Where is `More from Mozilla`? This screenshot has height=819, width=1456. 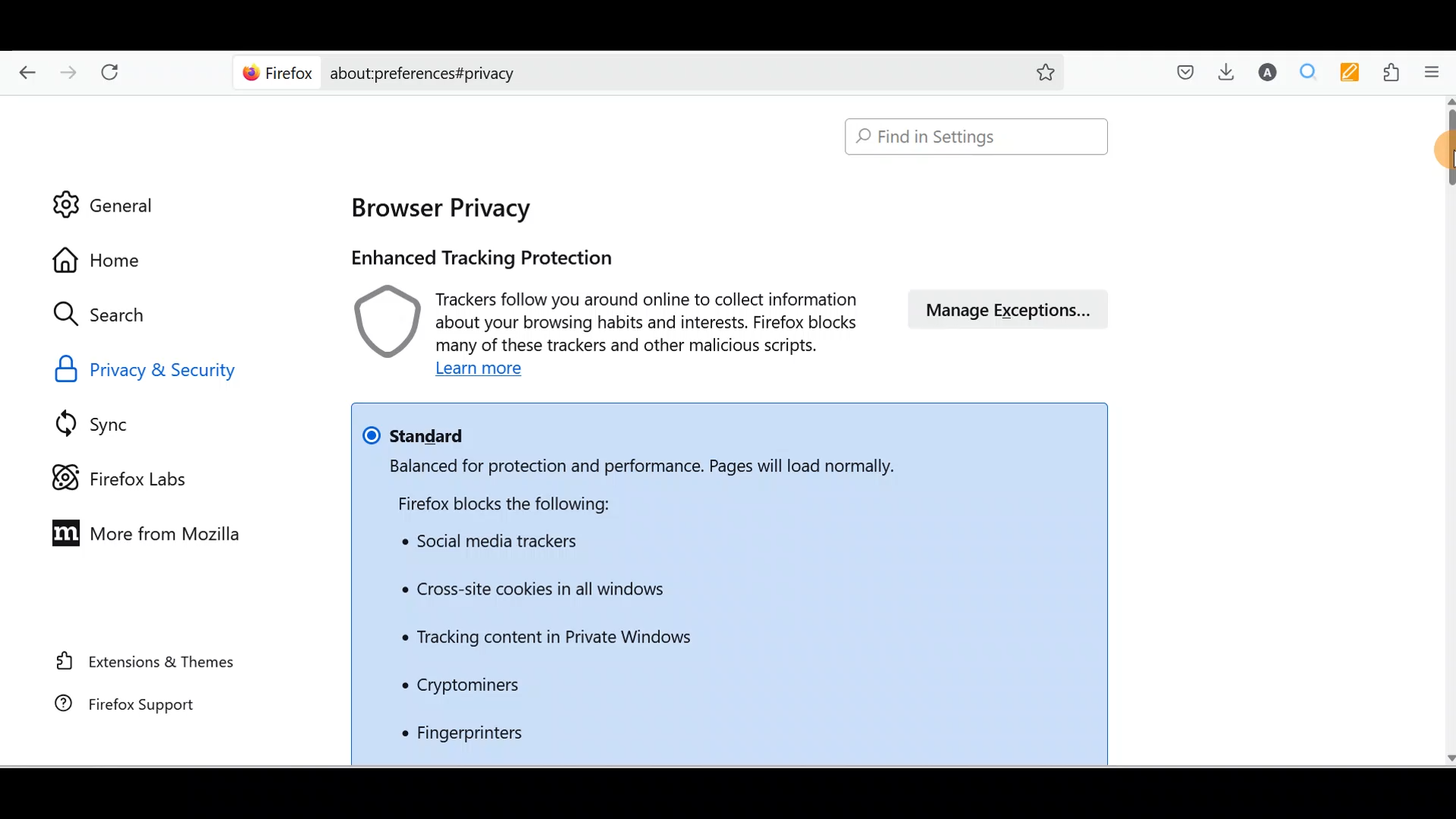 More from Mozilla is located at coordinates (140, 537).